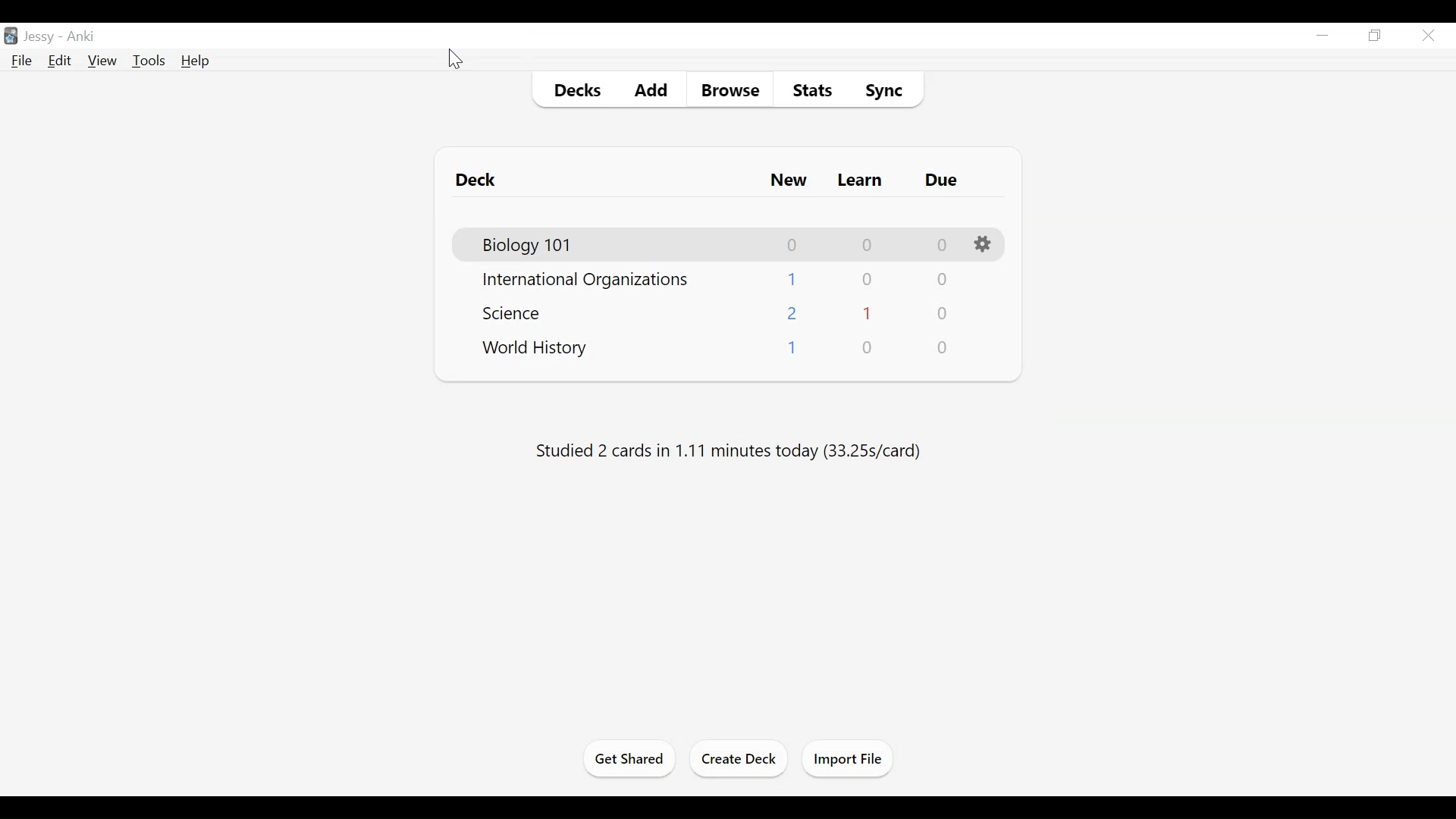 This screenshot has width=1456, height=819. What do you see at coordinates (943, 280) in the screenshot?
I see `Due Cards Count` at bounding box center [943, 280].